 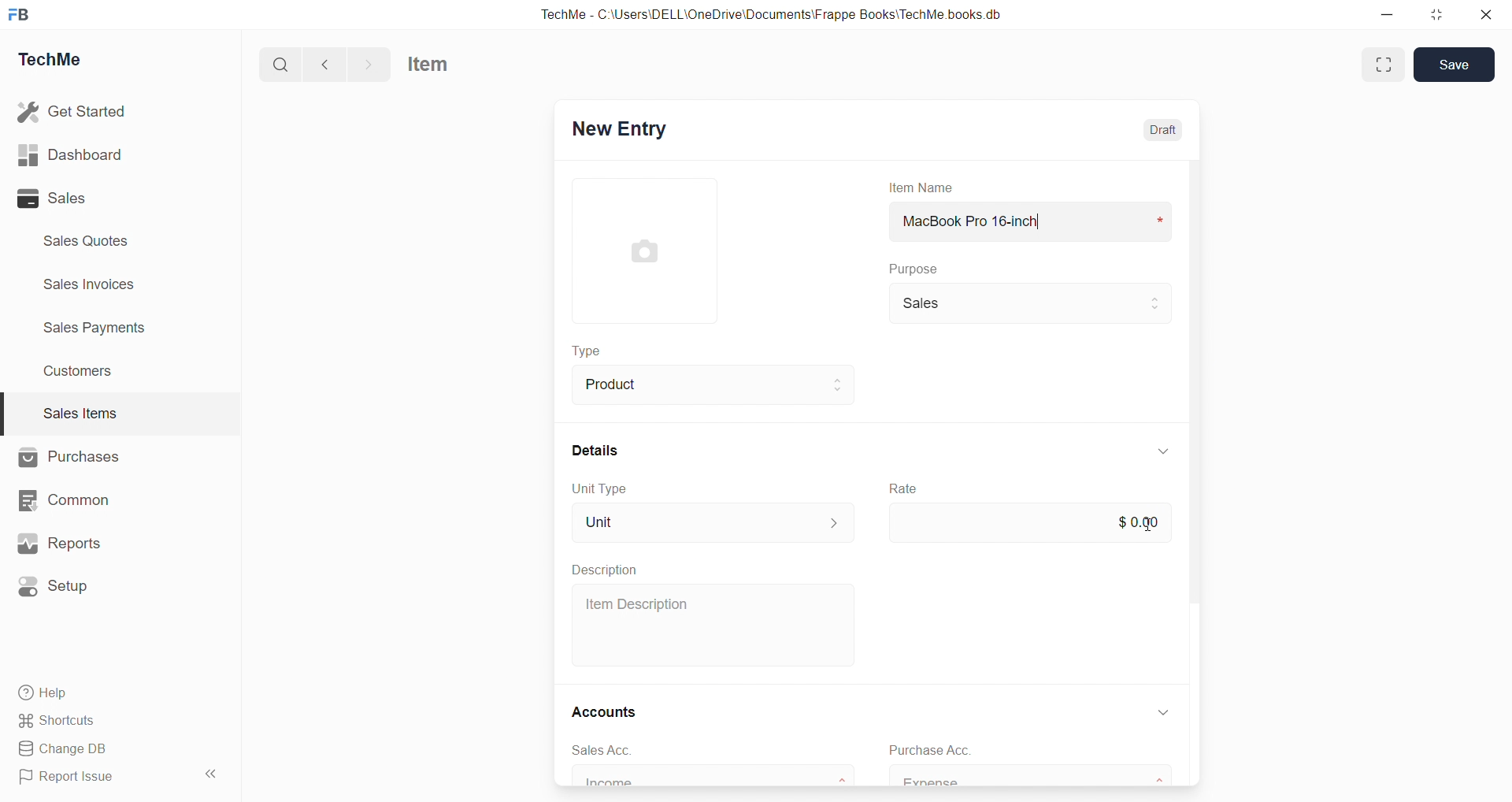 What do you see at coordinates (45, 693) in the screenshot?
I see `Help` at bounding box center [45, 693].